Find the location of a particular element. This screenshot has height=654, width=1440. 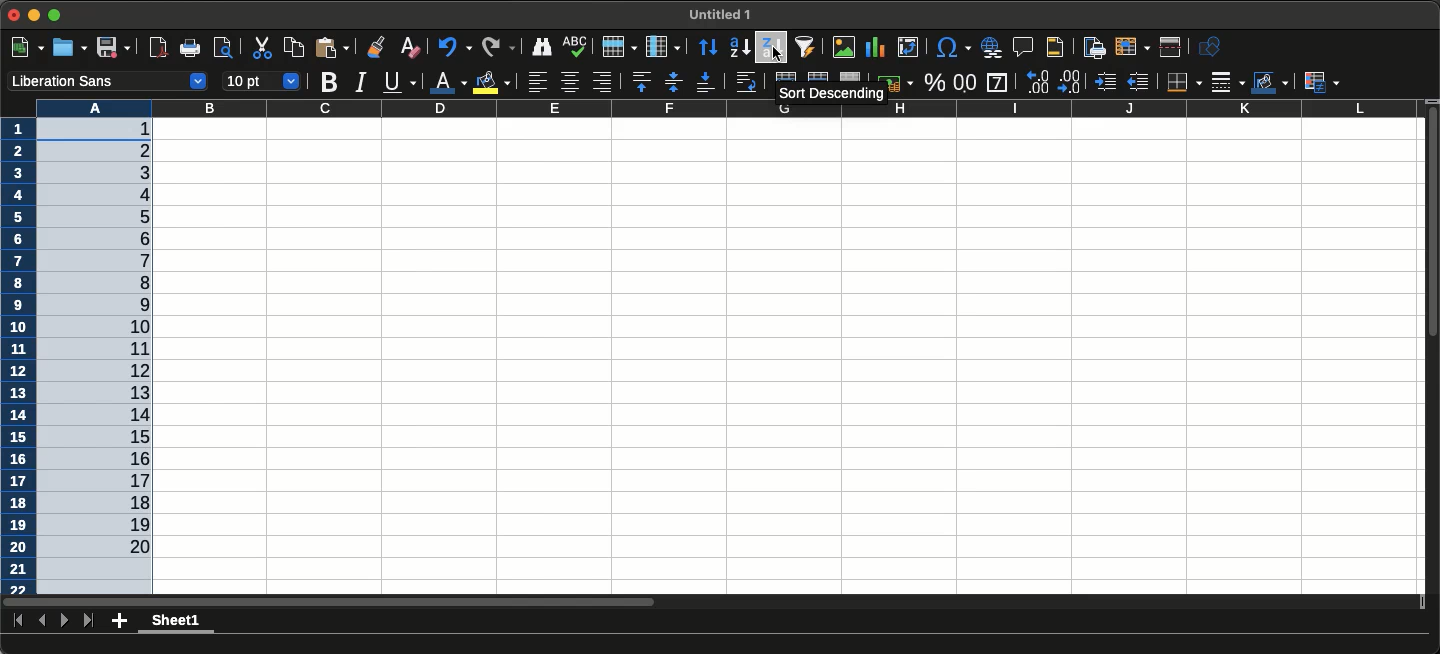

9 is located at coordinates (131, 305).